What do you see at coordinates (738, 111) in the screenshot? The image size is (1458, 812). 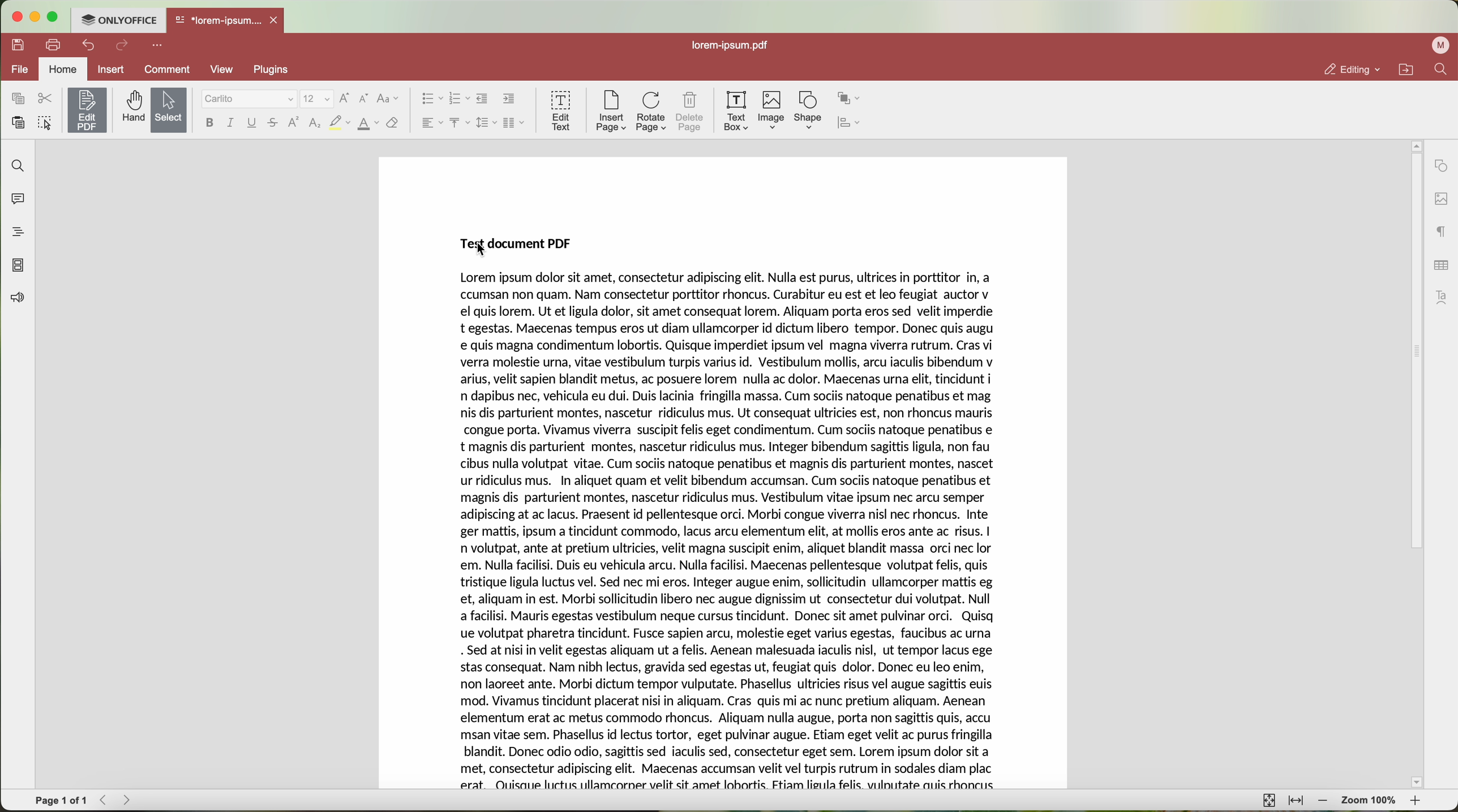 I see `text box` at bounding box center [738, 111].